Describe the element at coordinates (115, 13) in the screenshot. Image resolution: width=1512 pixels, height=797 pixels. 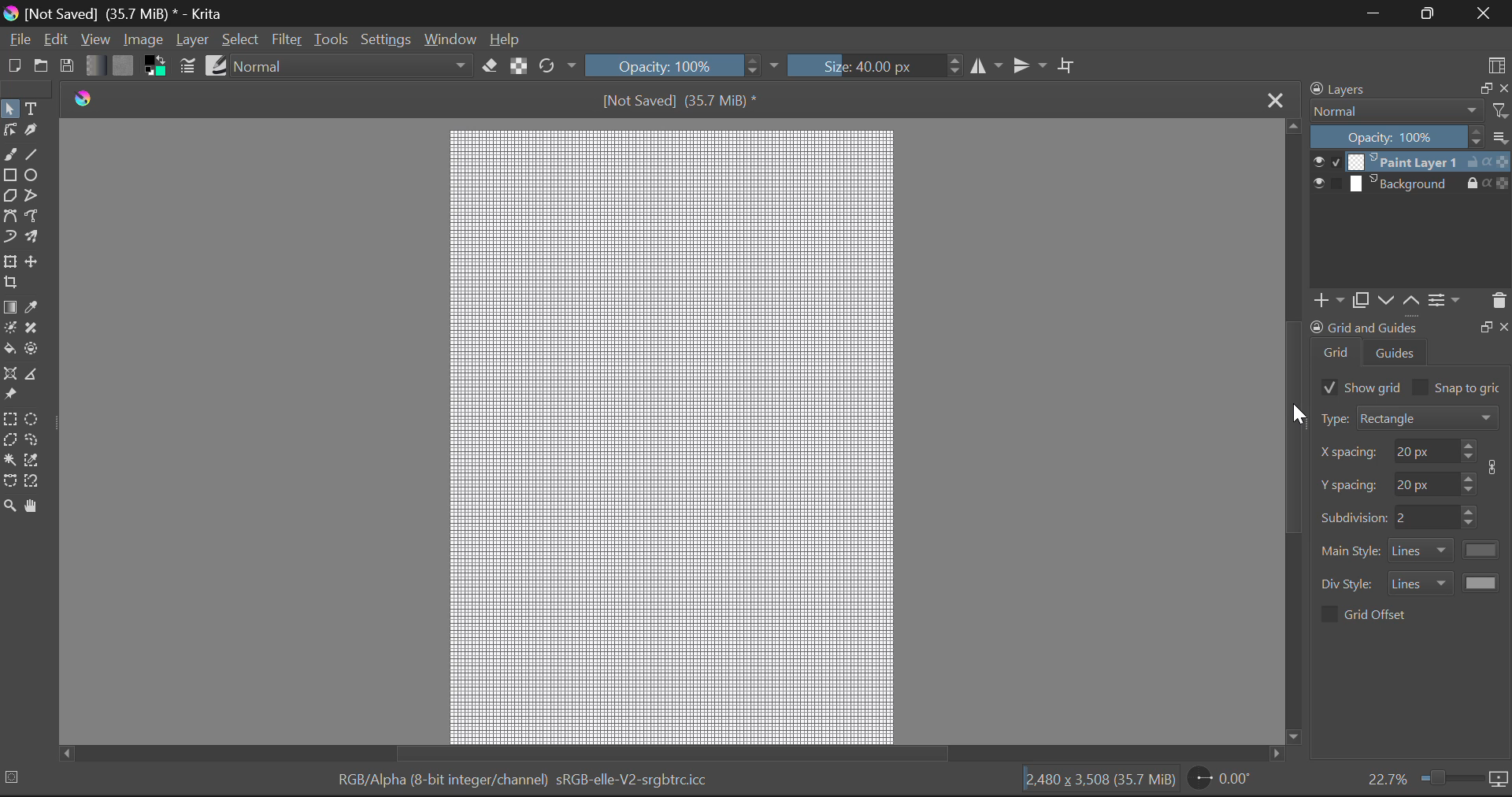
I see `[Not Saved] (35.7 MiB) * - Krita` at that location.